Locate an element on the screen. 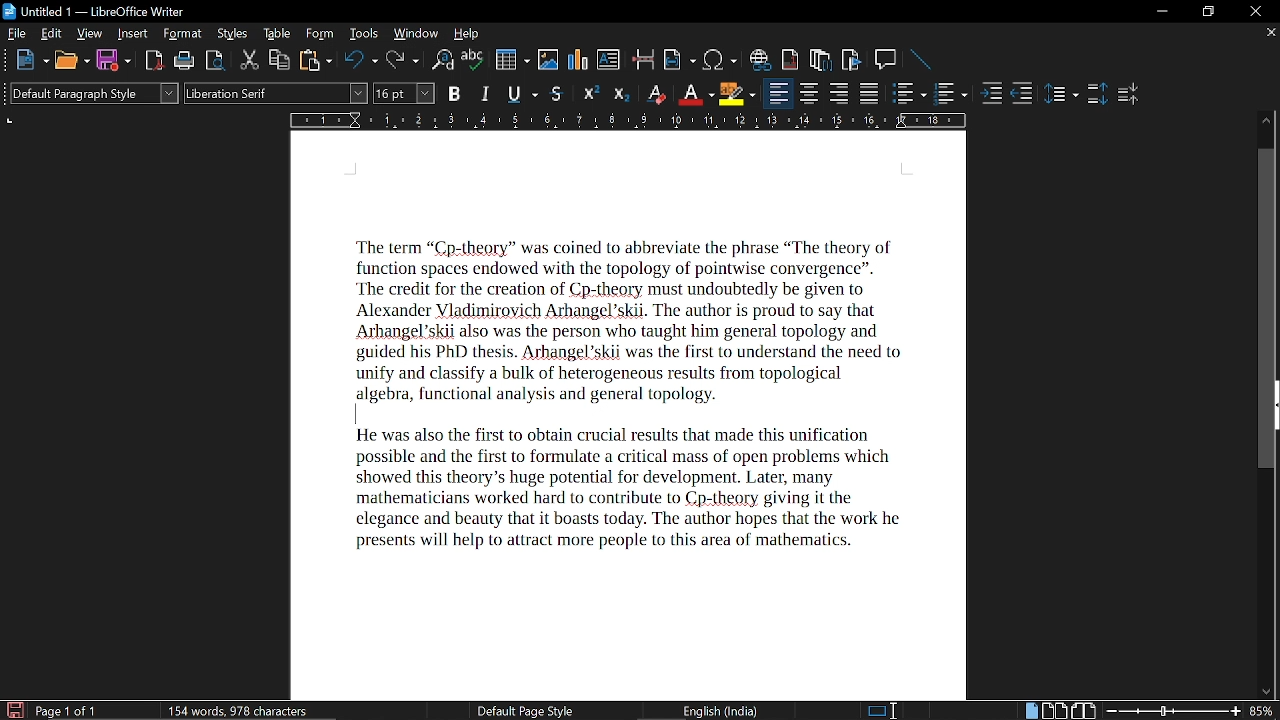  Tools is located at coordinates (363, 35).